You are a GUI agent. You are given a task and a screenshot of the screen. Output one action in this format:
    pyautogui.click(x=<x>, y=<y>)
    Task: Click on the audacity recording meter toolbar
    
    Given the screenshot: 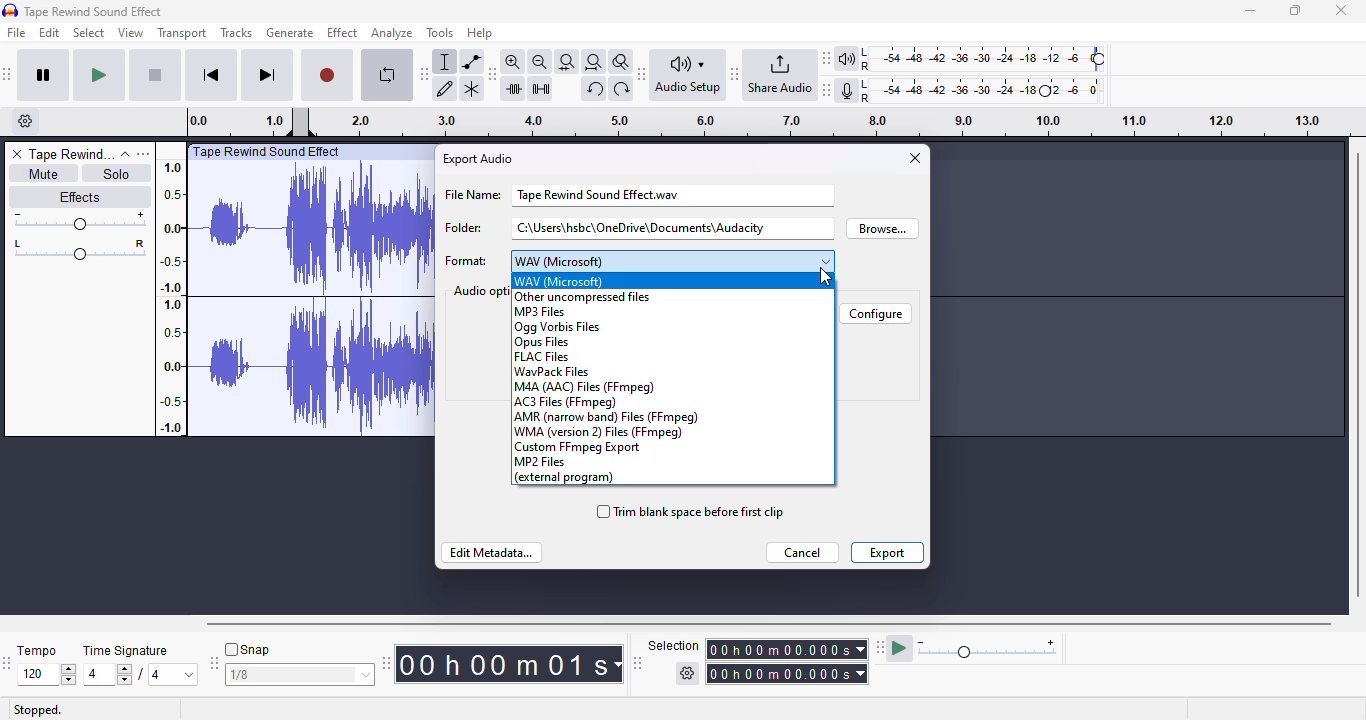 What is the action you would take?
    pyautogui.click(x=965, y=90)
    